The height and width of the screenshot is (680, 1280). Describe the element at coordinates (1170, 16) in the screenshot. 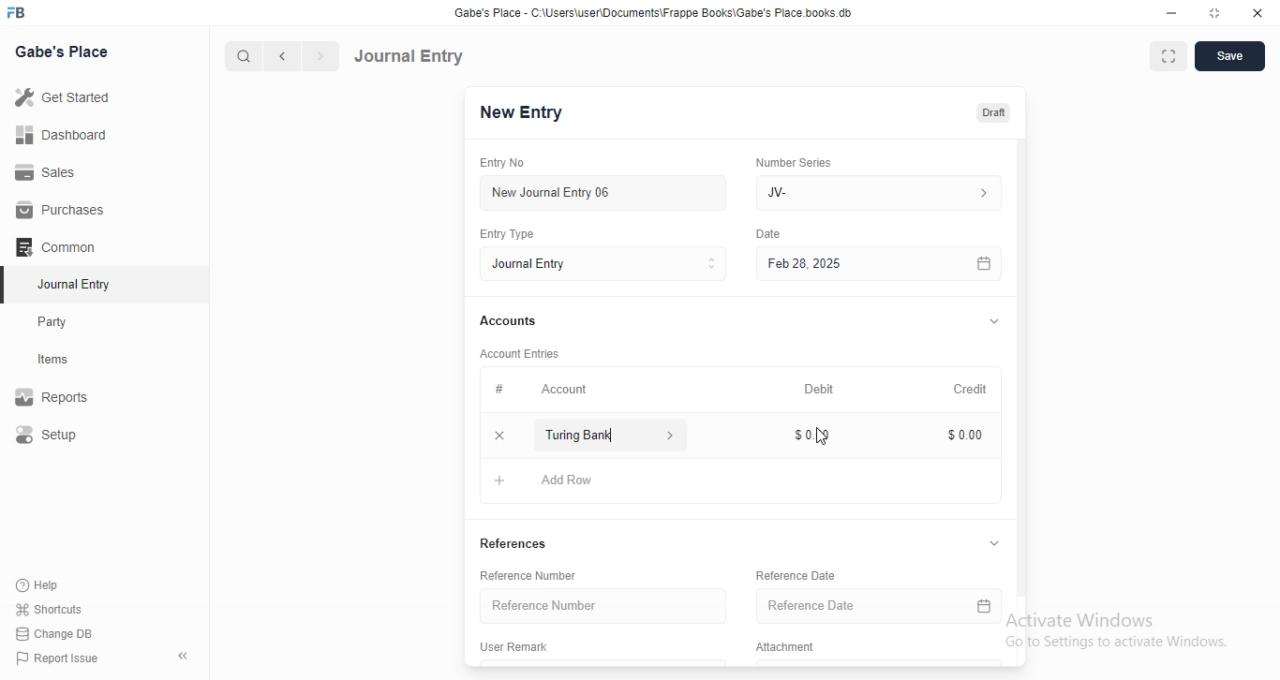

I see `minimize` at that location.